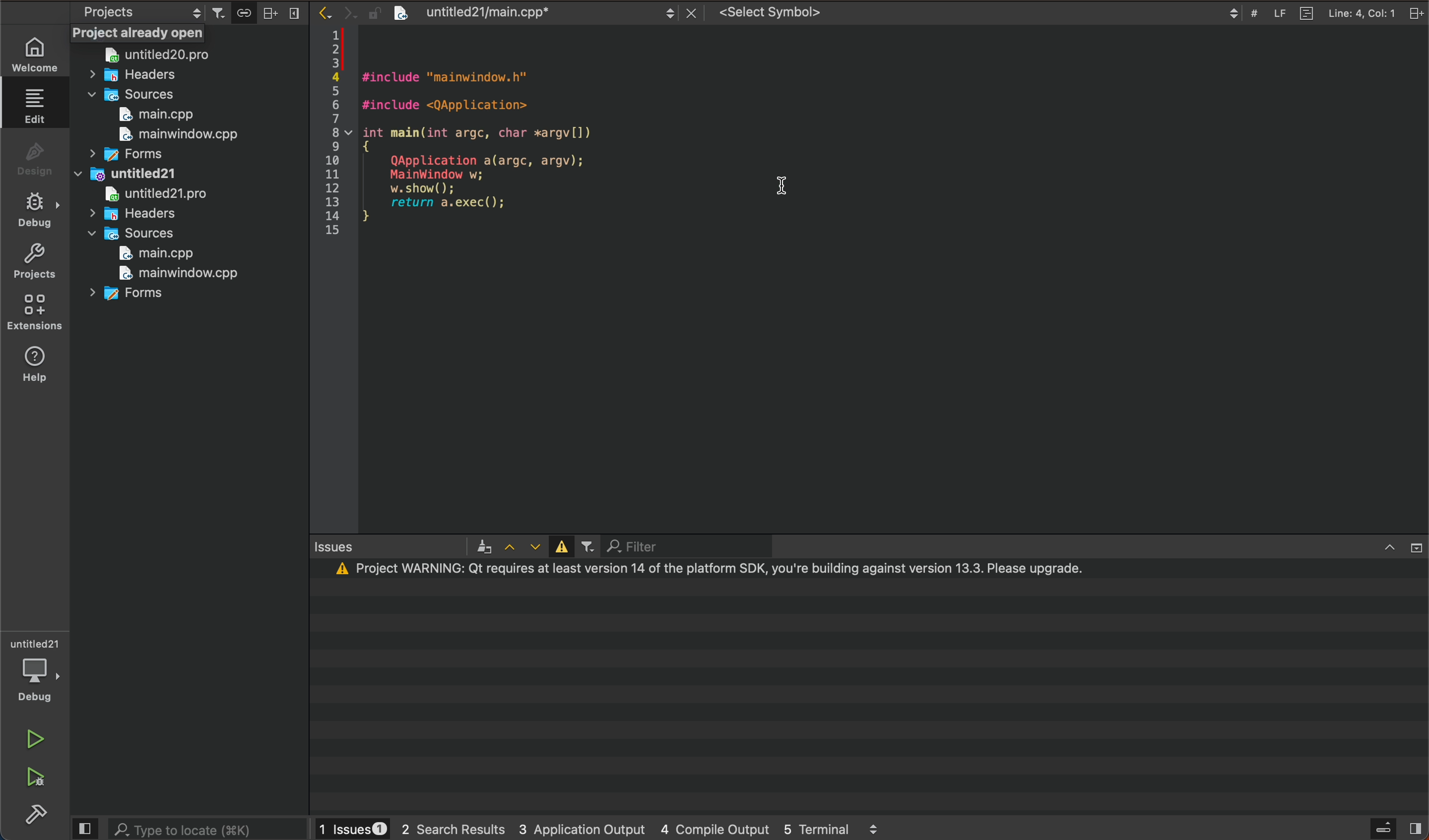 This screenshot has height=840, width=1429. What do you see at coordinates (162, 193) in the screenshot?
I see `untitled 21 pro` at bounding box center [162, 193].